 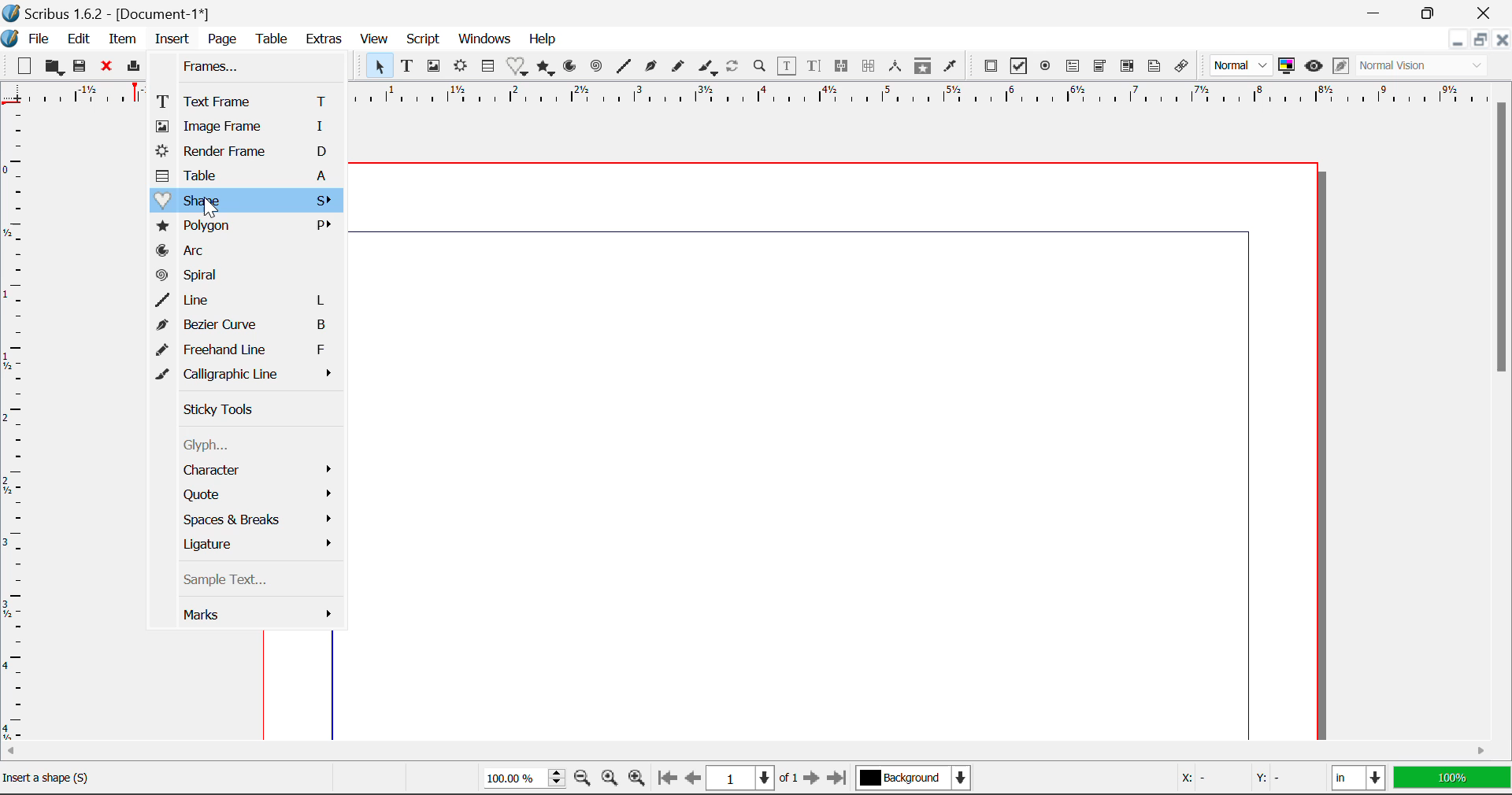 What do you see at coordinates (246, 227) in the screenshot?
I see `Polygon` at bounding box center [246, 227].